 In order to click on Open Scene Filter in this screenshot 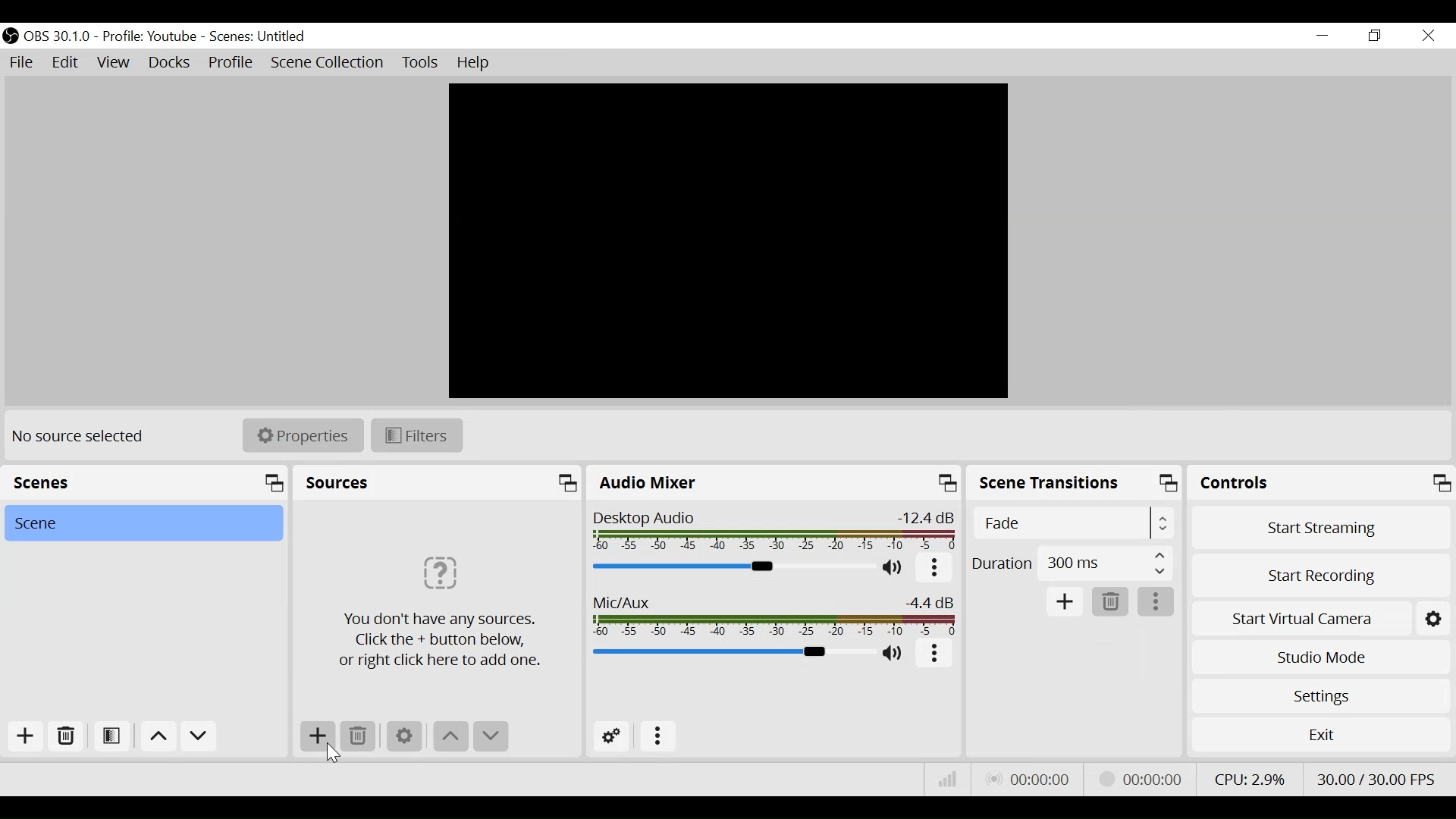, I will do `click(110, 734)`.